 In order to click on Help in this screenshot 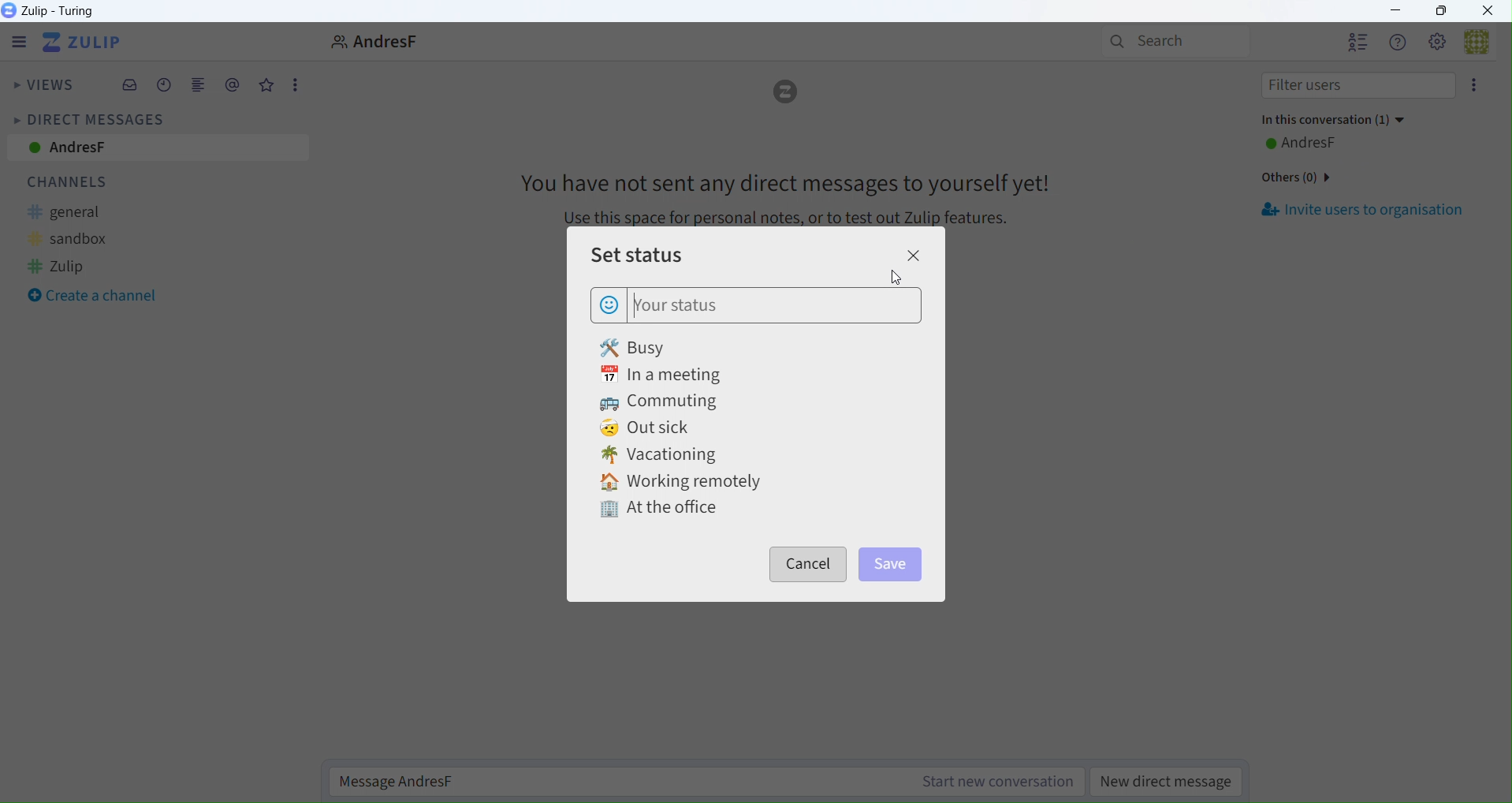, I will do `click(1398, 43)`.